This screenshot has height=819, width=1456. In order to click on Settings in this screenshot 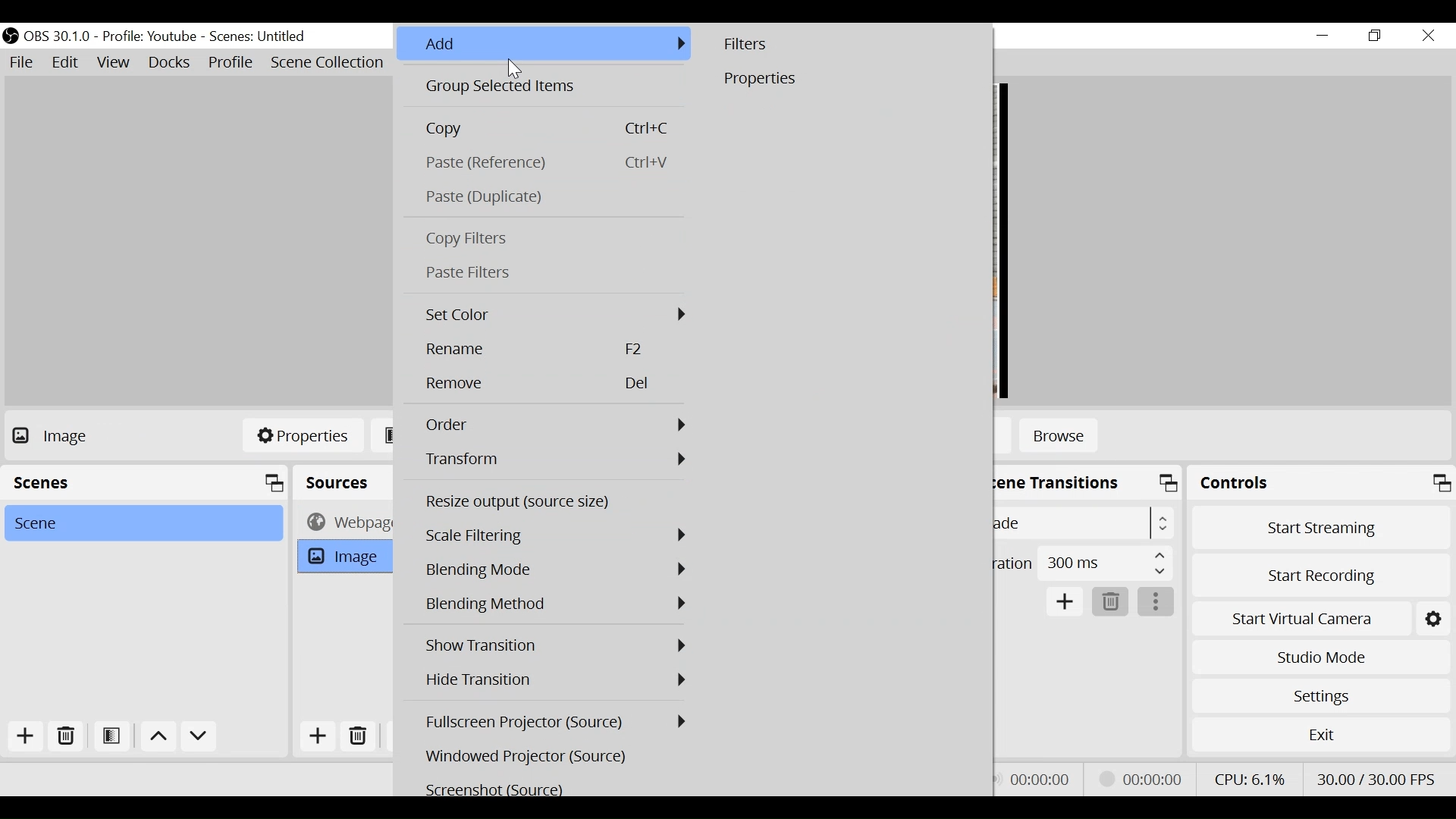, I will do `click(1432, 620)`.